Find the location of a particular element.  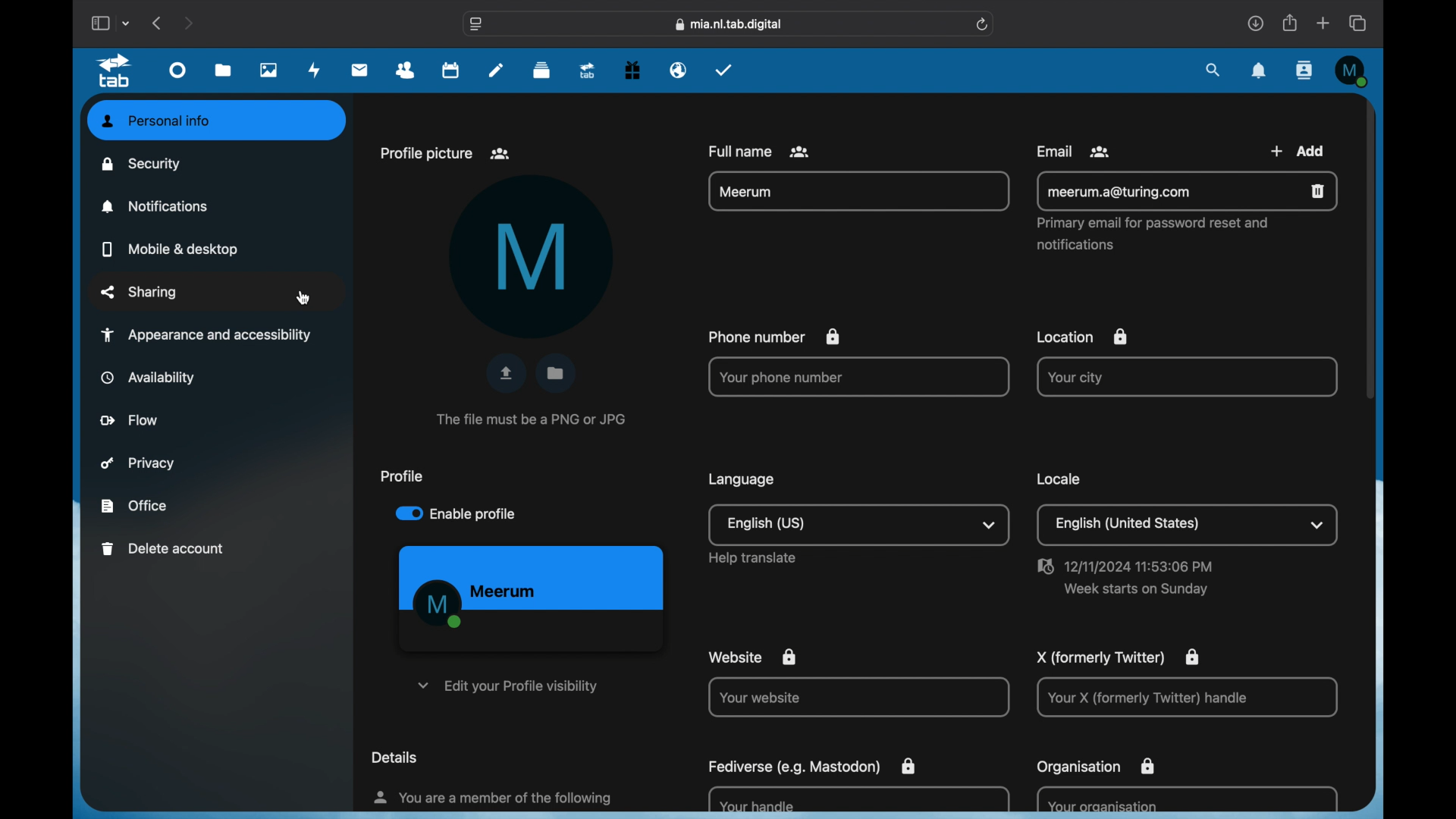

profile preview is located at coordinates (529, 598).